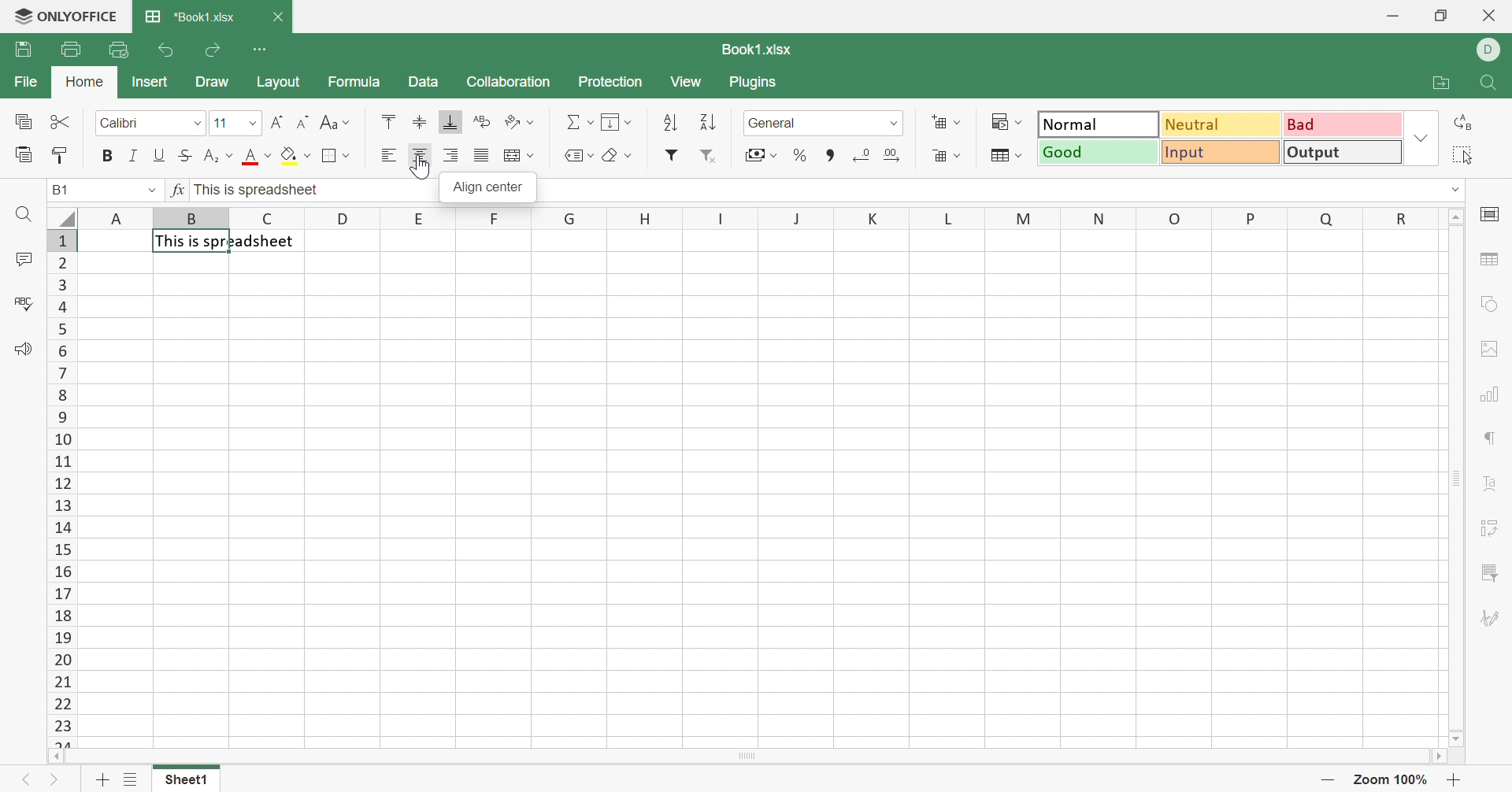 This screenshot has width=1512, height=792. Describe the element at coordinates (70, 48) in the screenshot. I see `Print` at that location.